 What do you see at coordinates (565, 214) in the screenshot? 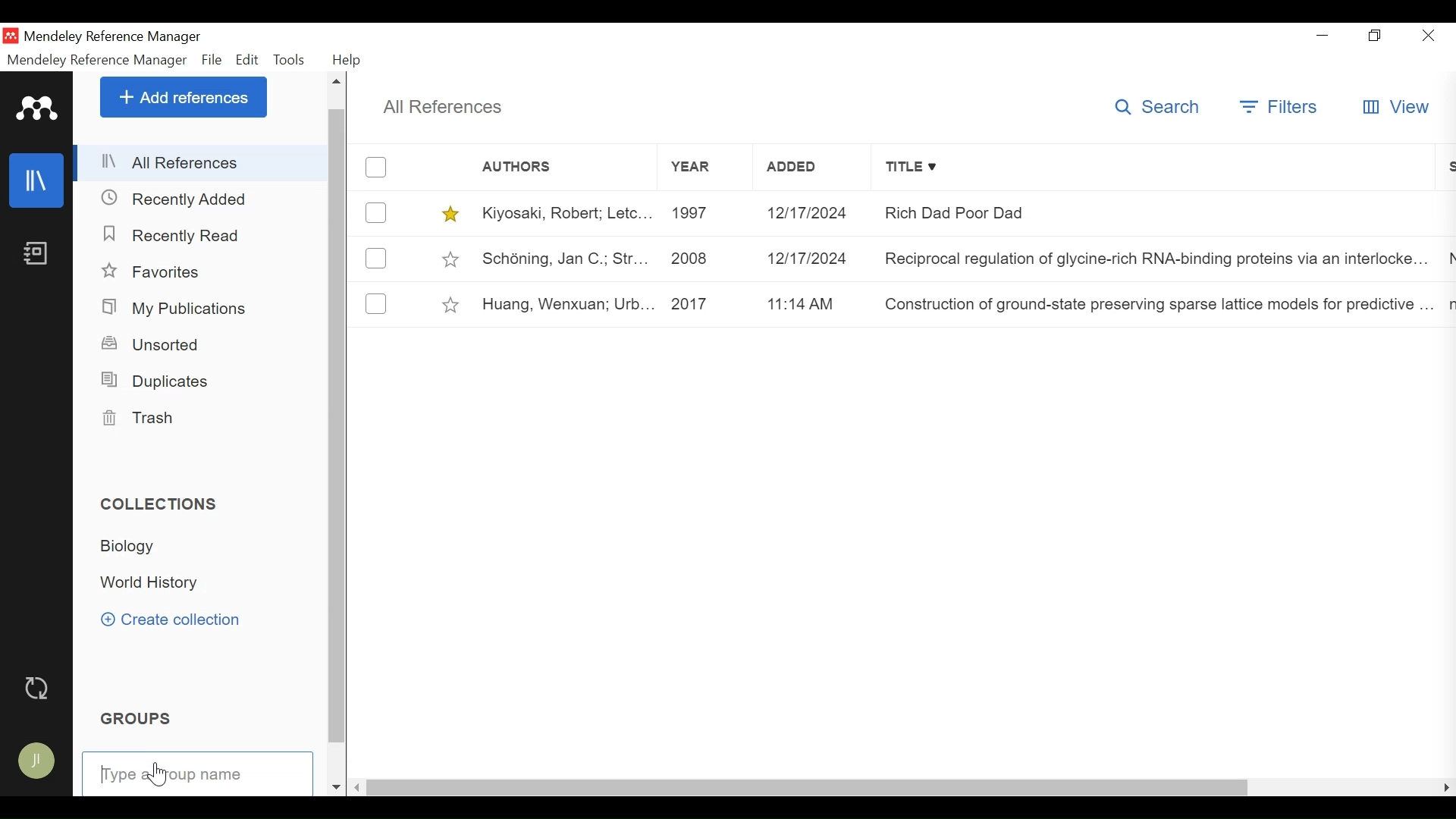
I see `Kiyosaki, Robert, Letc...` at bounding box center [565, 214].